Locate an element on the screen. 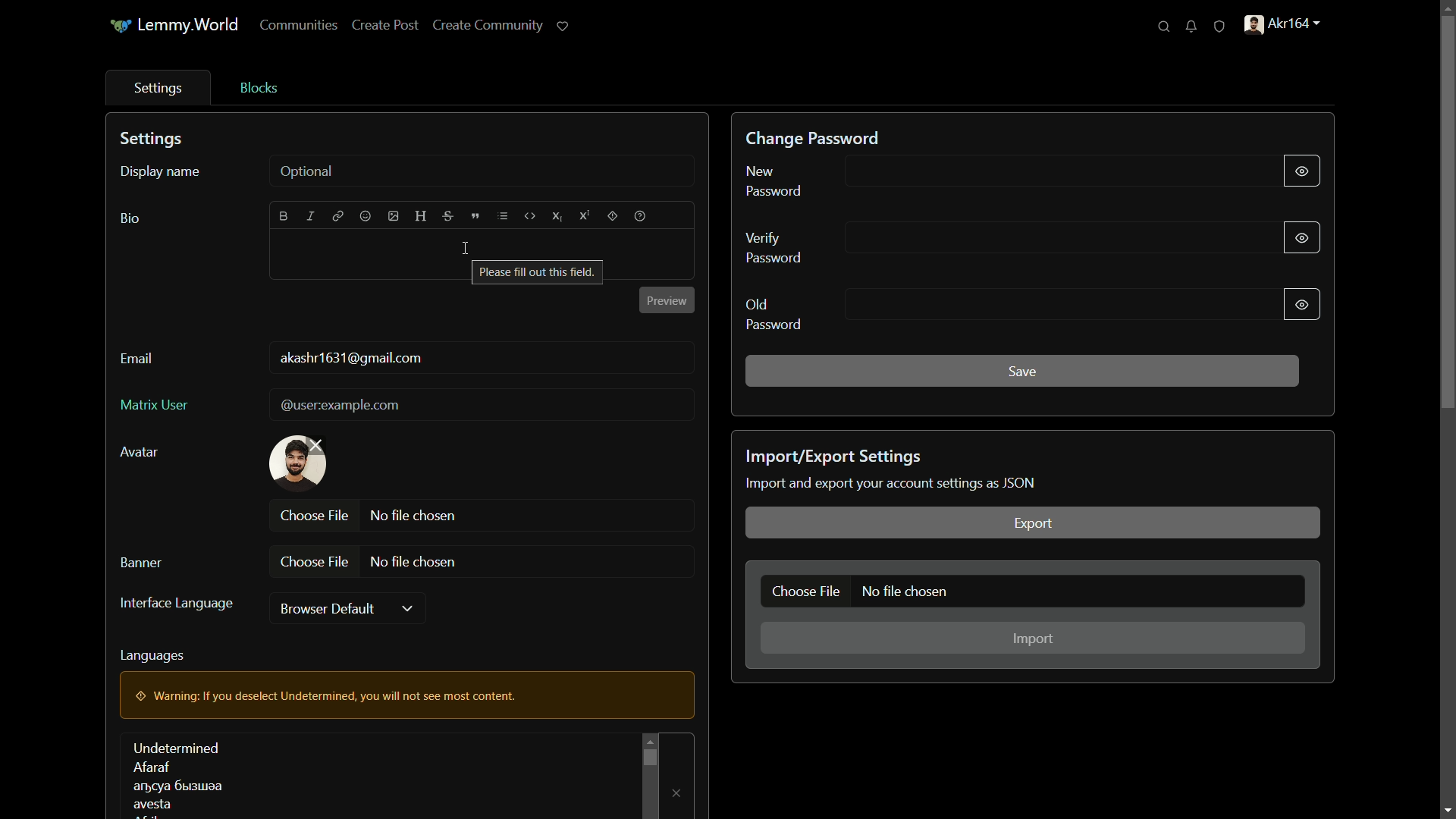 The width and height of the screenshot is (1456, 819). create community is located at coordinates (489, 25).